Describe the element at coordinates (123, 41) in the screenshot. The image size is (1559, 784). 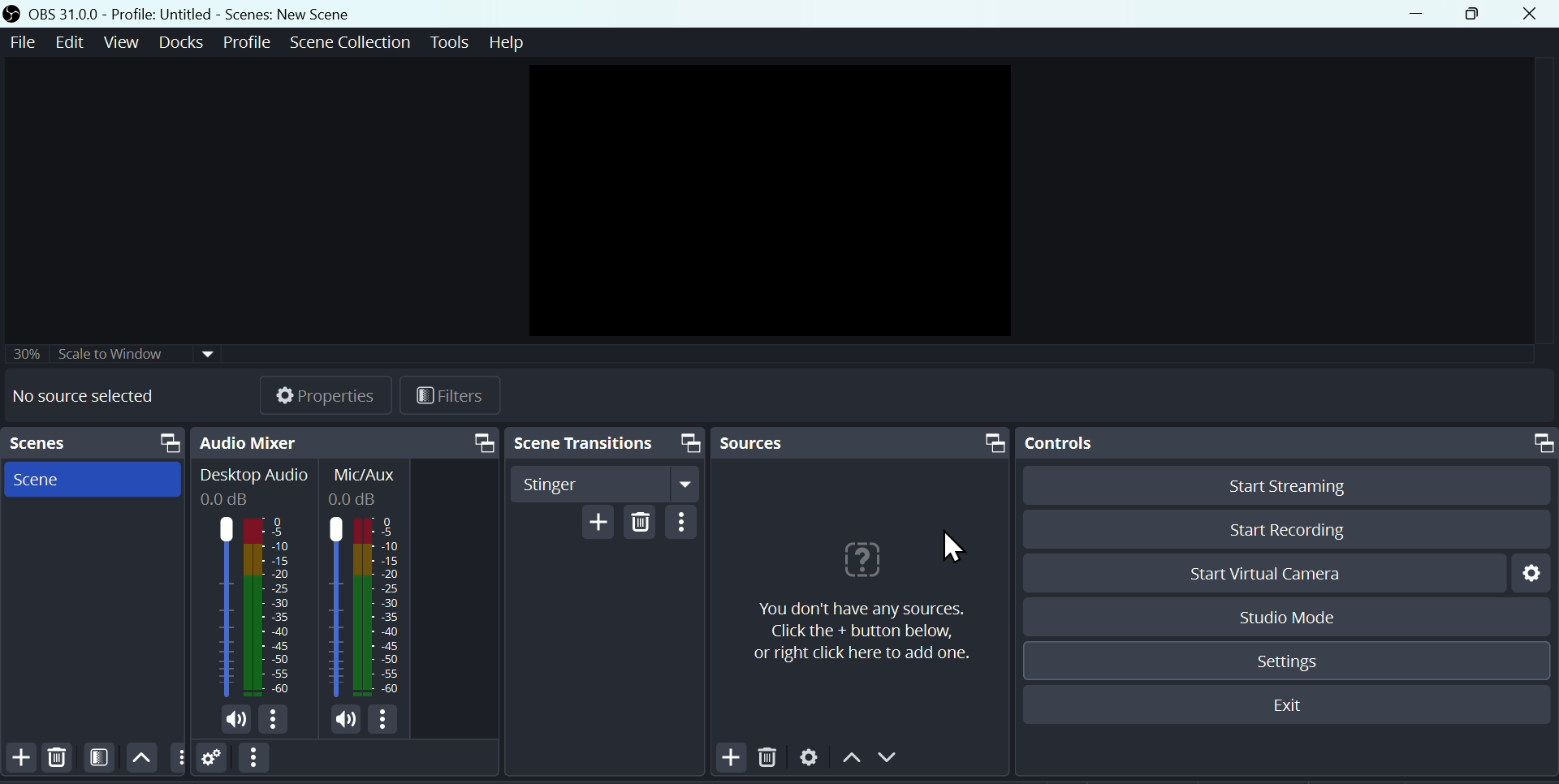
I see `Views` at that location.